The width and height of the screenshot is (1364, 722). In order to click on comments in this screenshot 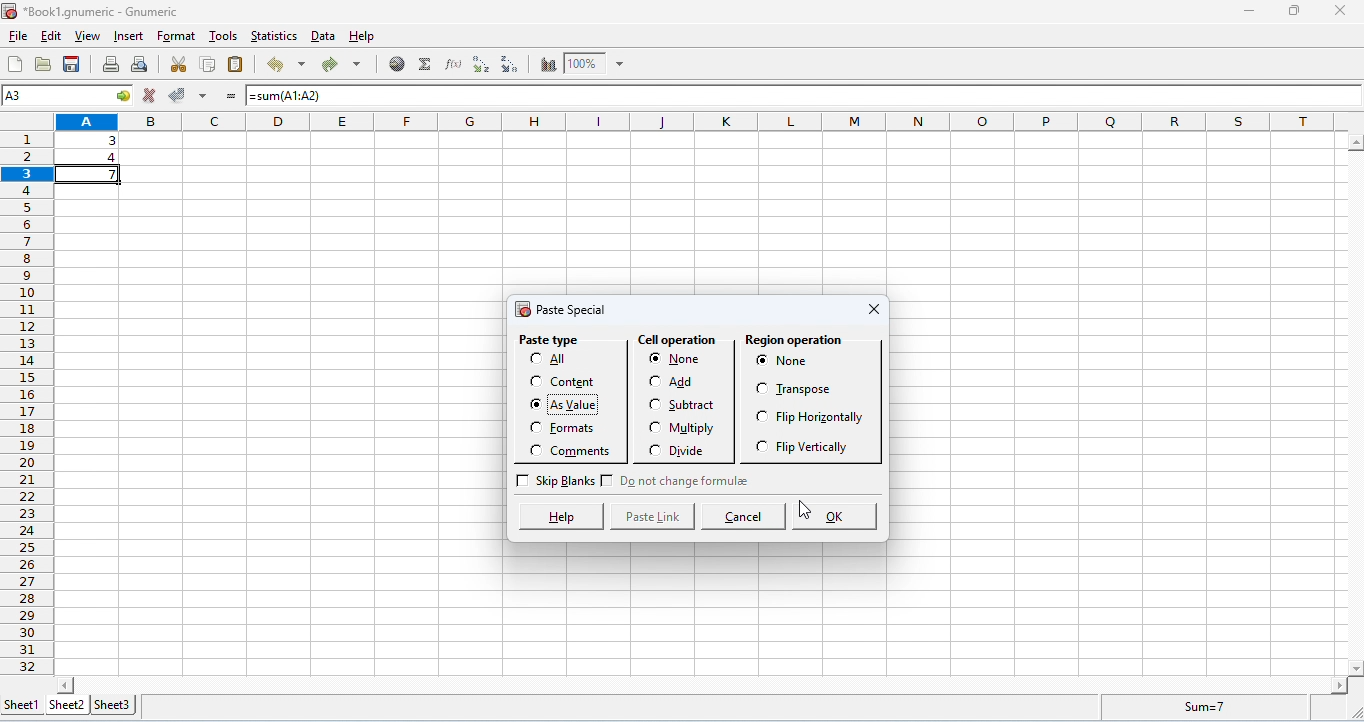, I will do `click(586, 452)`.